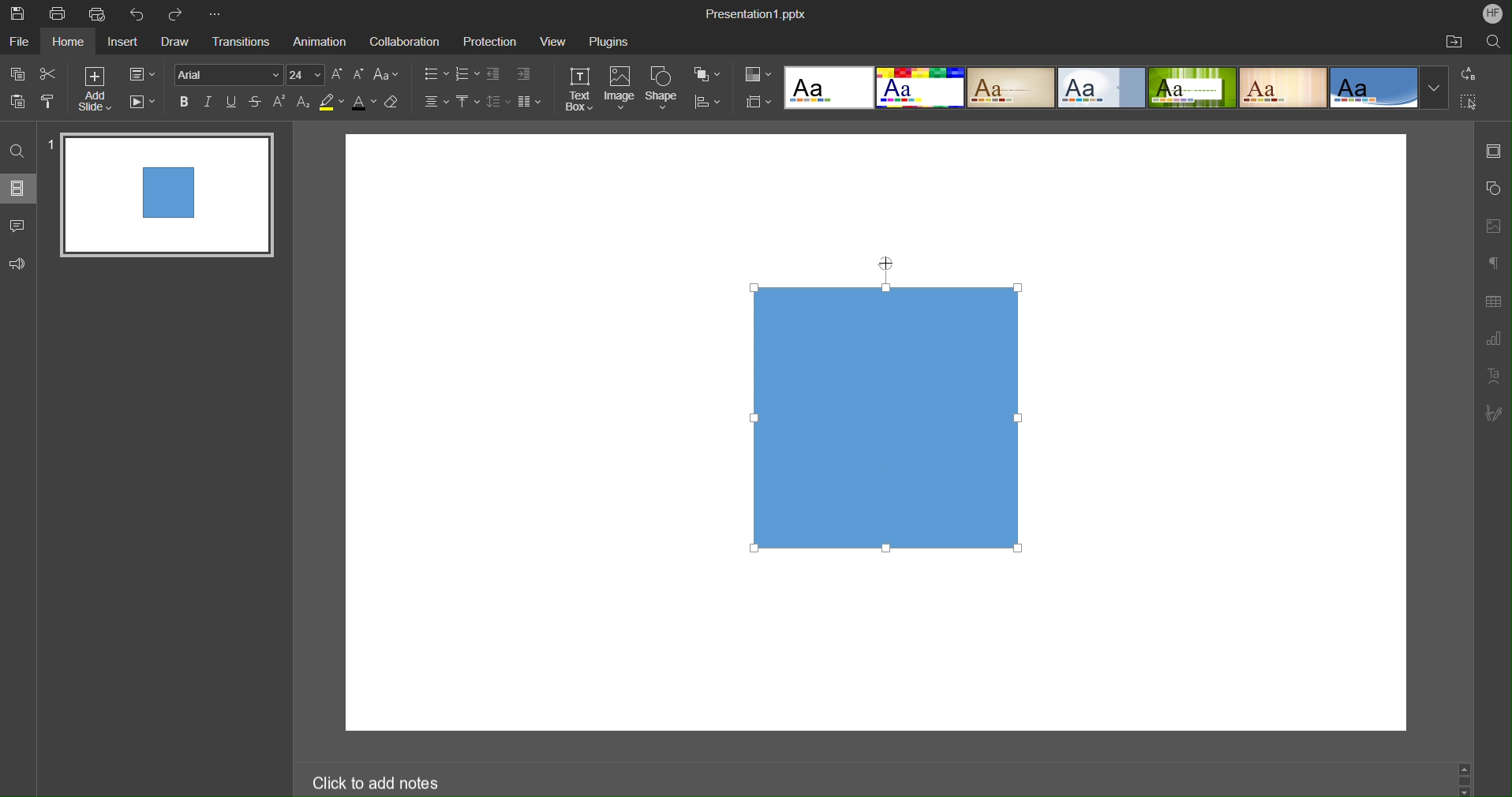 This screenshot has height=797, width=1512. I want to click on Animation, so click(318, 39).